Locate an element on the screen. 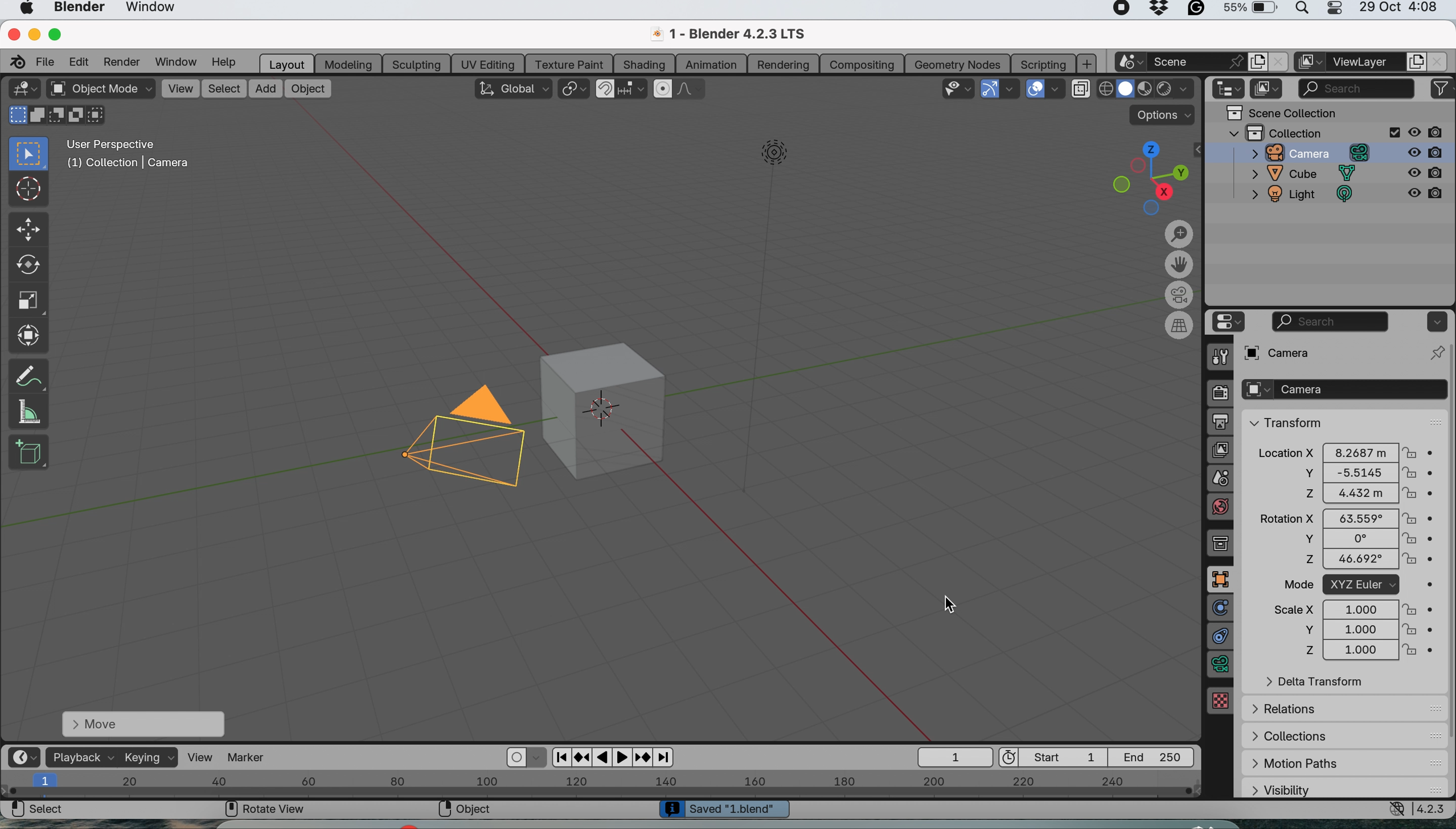 This screenshot has height=829, width=1456. grammarly is located at coordinates (1196, 11).